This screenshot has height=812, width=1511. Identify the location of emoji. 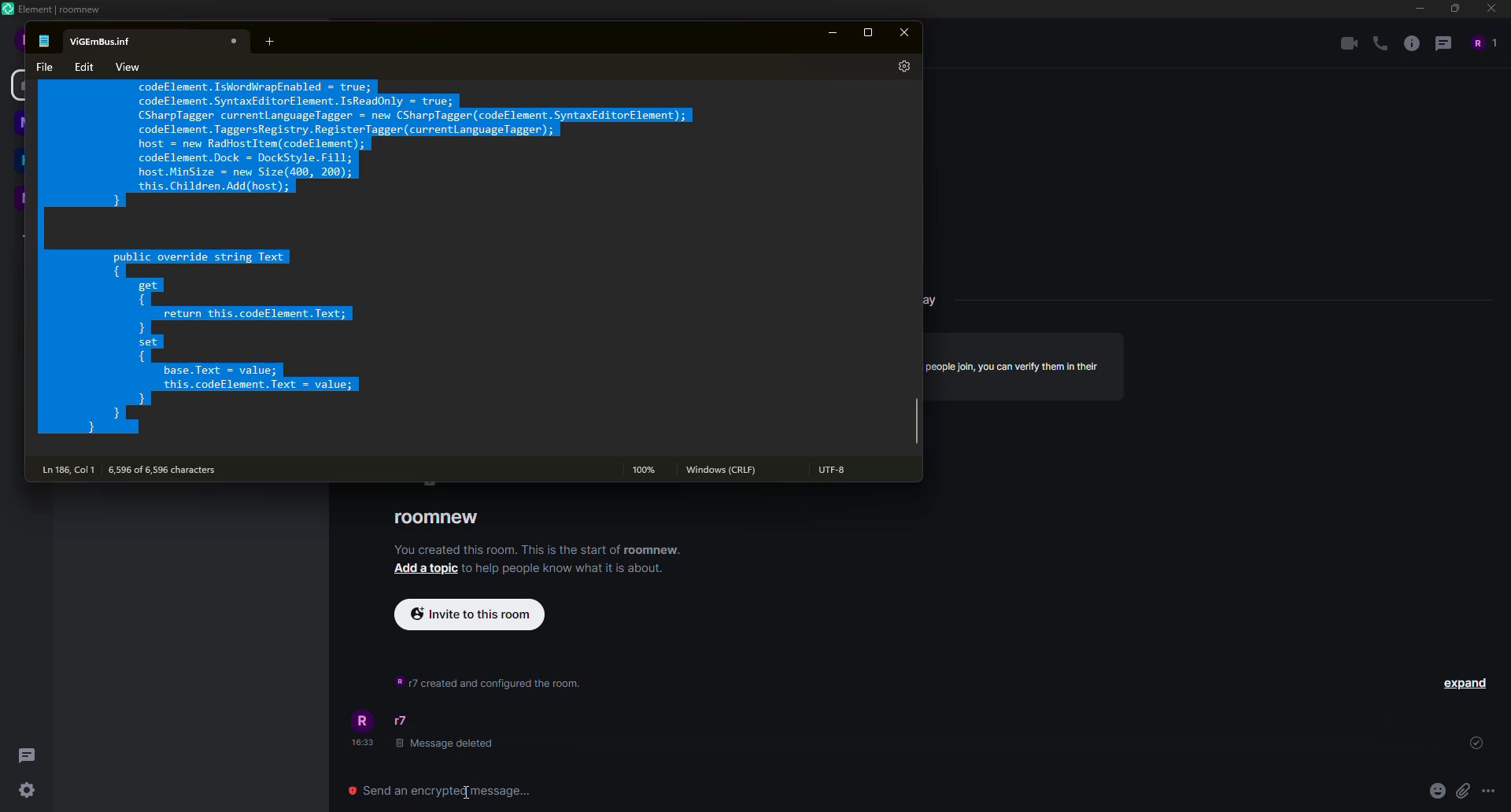
(1436, 790).